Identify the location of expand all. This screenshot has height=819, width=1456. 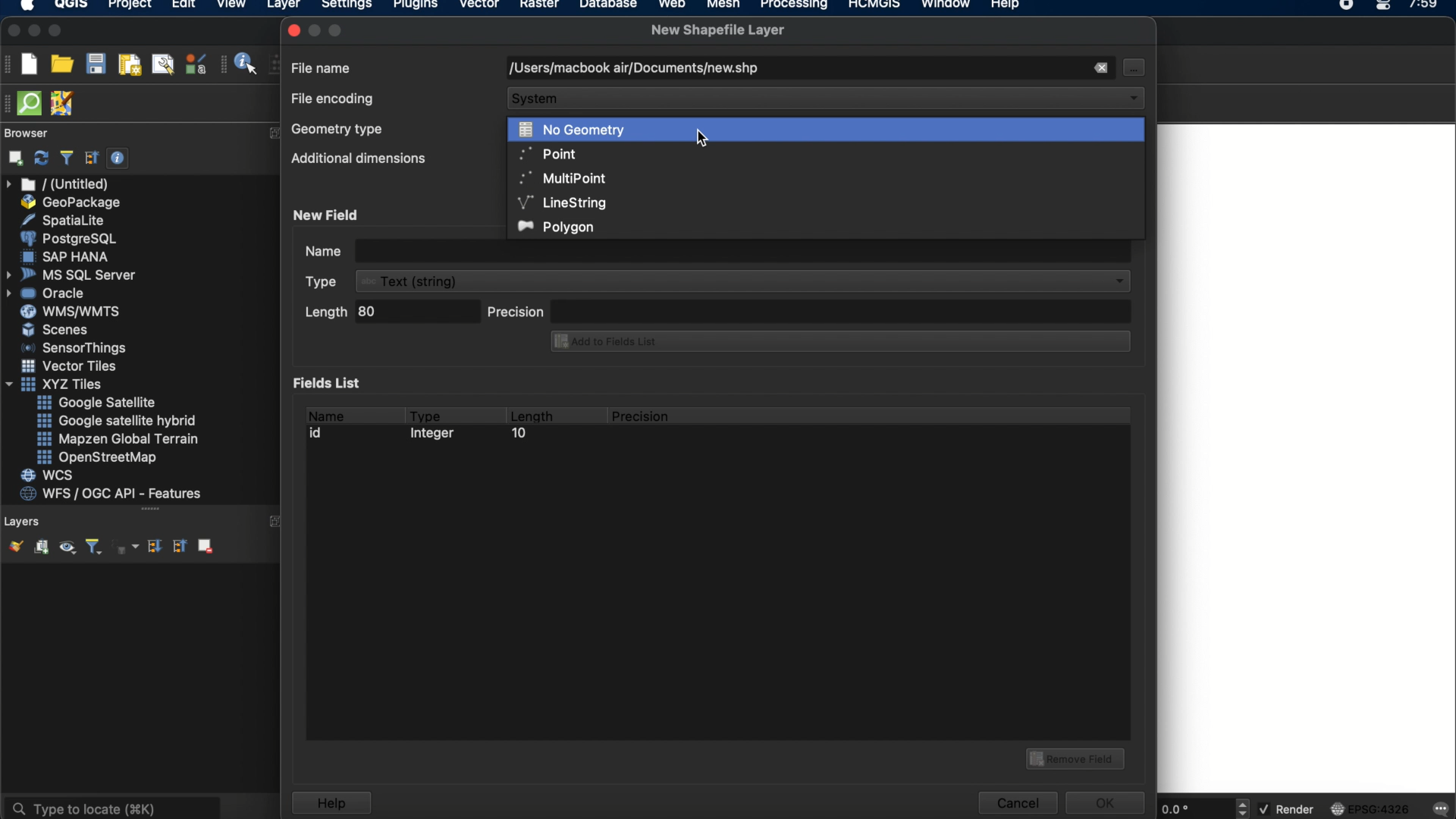
(152, 547).